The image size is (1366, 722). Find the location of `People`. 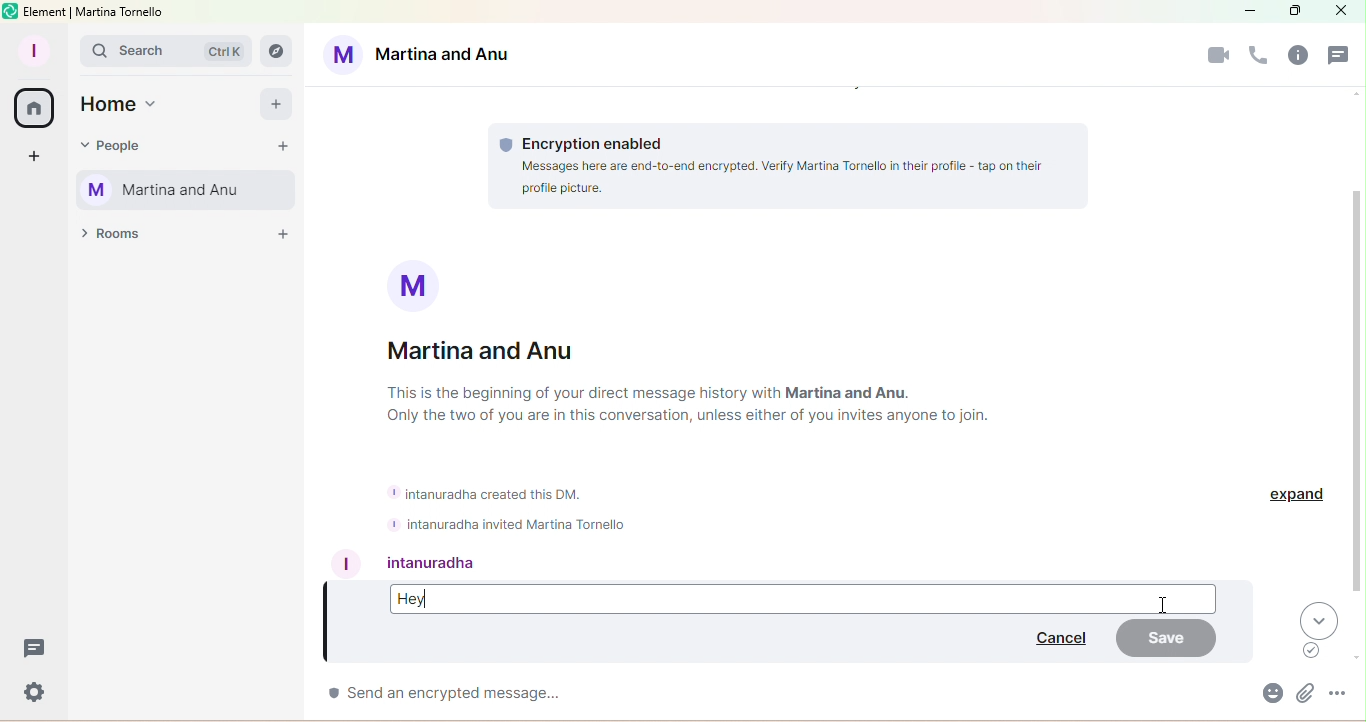

People is located at coordinates (119, 142).